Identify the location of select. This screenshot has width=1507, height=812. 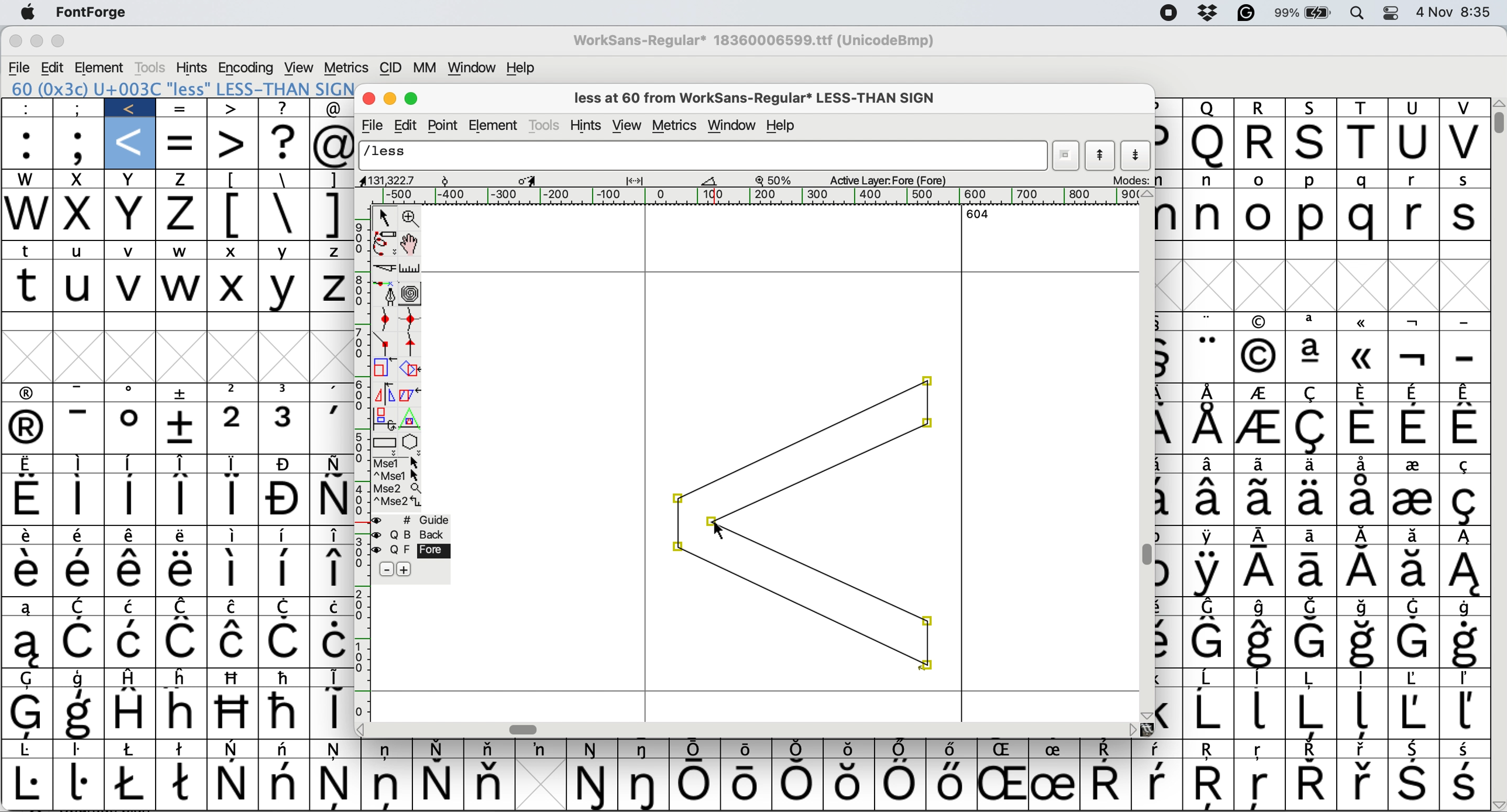
(383, 219).